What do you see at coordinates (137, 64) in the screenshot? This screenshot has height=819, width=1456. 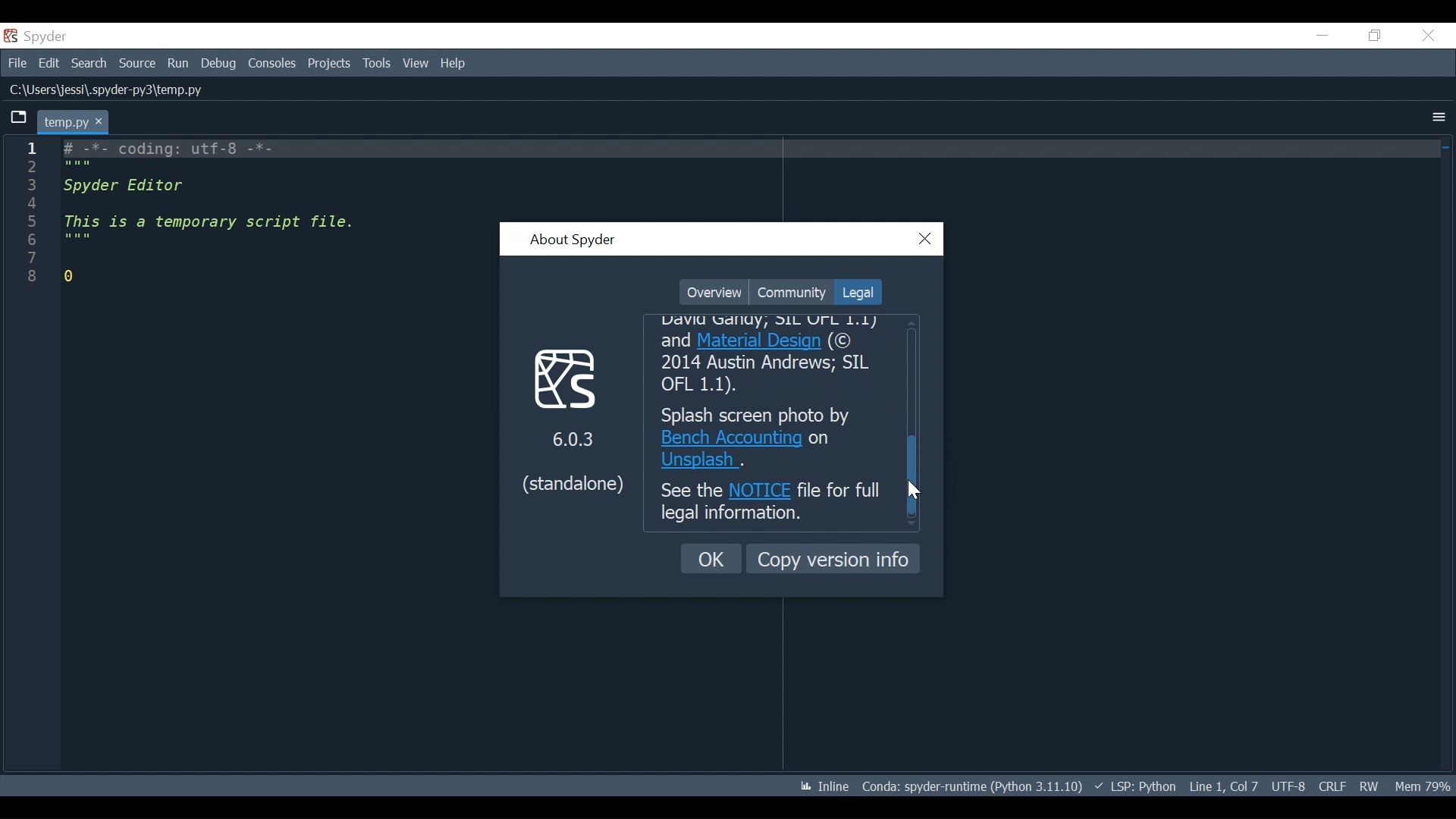 I see `Source` at bounding box center [137, 64].